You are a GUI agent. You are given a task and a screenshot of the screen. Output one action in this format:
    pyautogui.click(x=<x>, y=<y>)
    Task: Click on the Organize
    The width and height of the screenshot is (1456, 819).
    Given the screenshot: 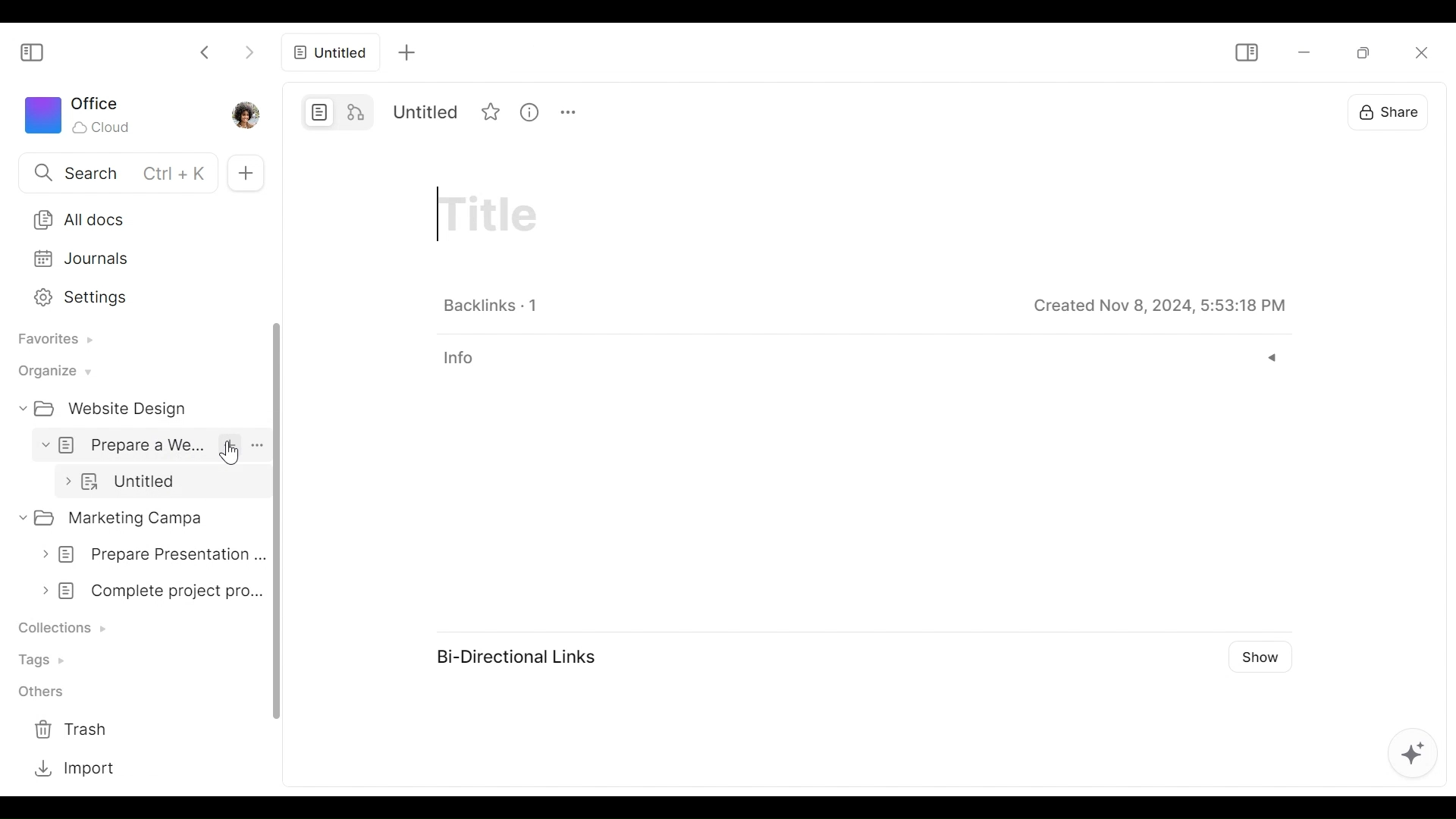 What is the action you would take?
    pyautogui.click(x=51, y=372)
    